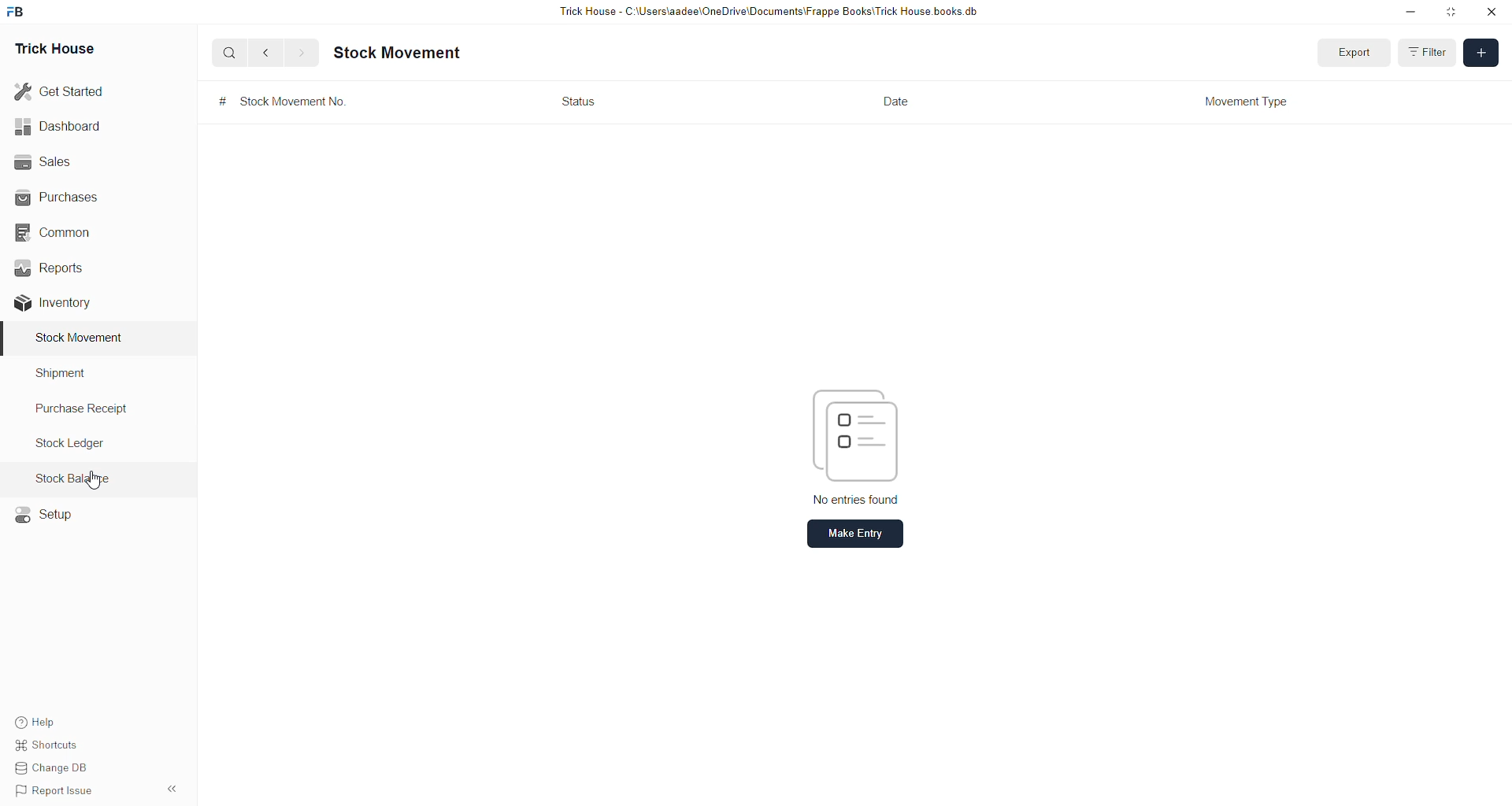 The image size is (1512, 806). What do you see at coordinates (88, 411) in the screenshot?
I see `Purchase Receipt` at bounding box center [88, 411].